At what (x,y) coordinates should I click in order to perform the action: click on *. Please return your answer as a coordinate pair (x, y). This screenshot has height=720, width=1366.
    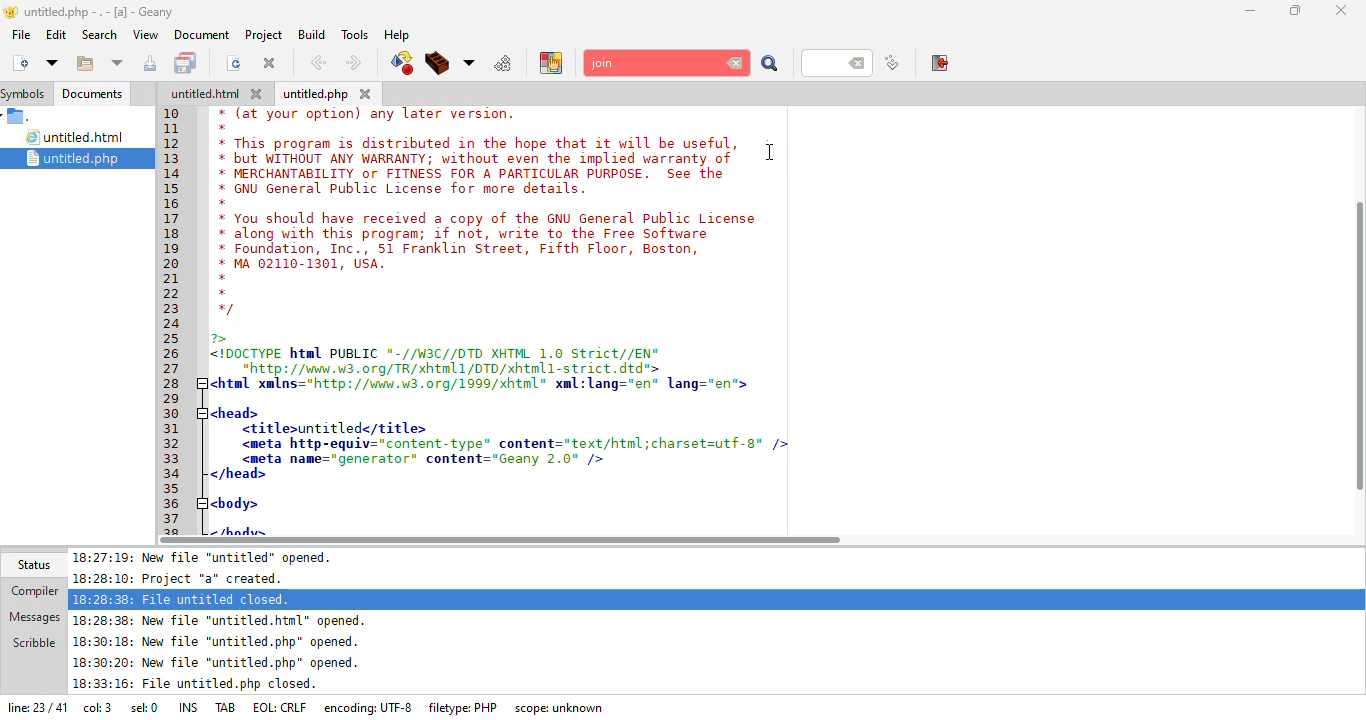
    Looking at the image, I should click on (223, 128).